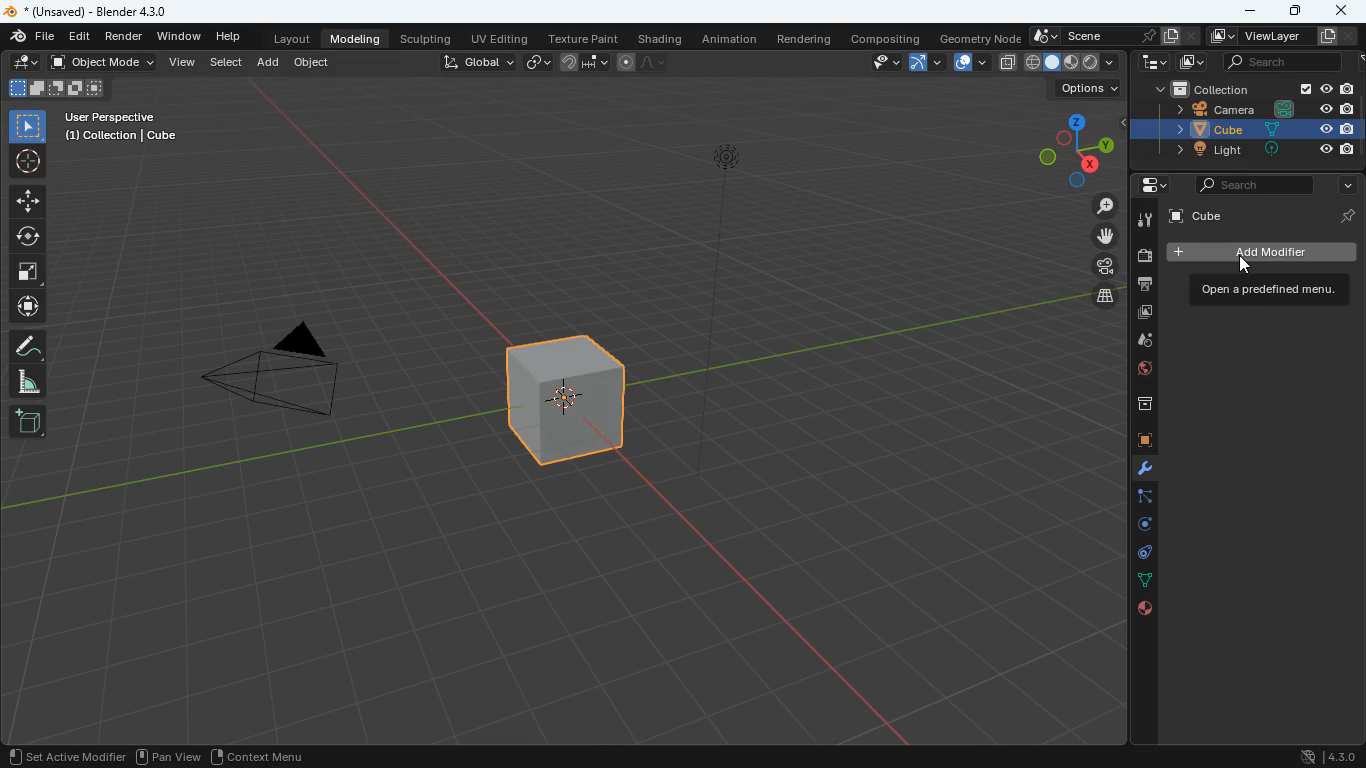 Image resolution: width=1366 pixels, height=768 pixels. Describe the element at coordinates (1259, 285) in the screenshot. I see `transform` at that location.